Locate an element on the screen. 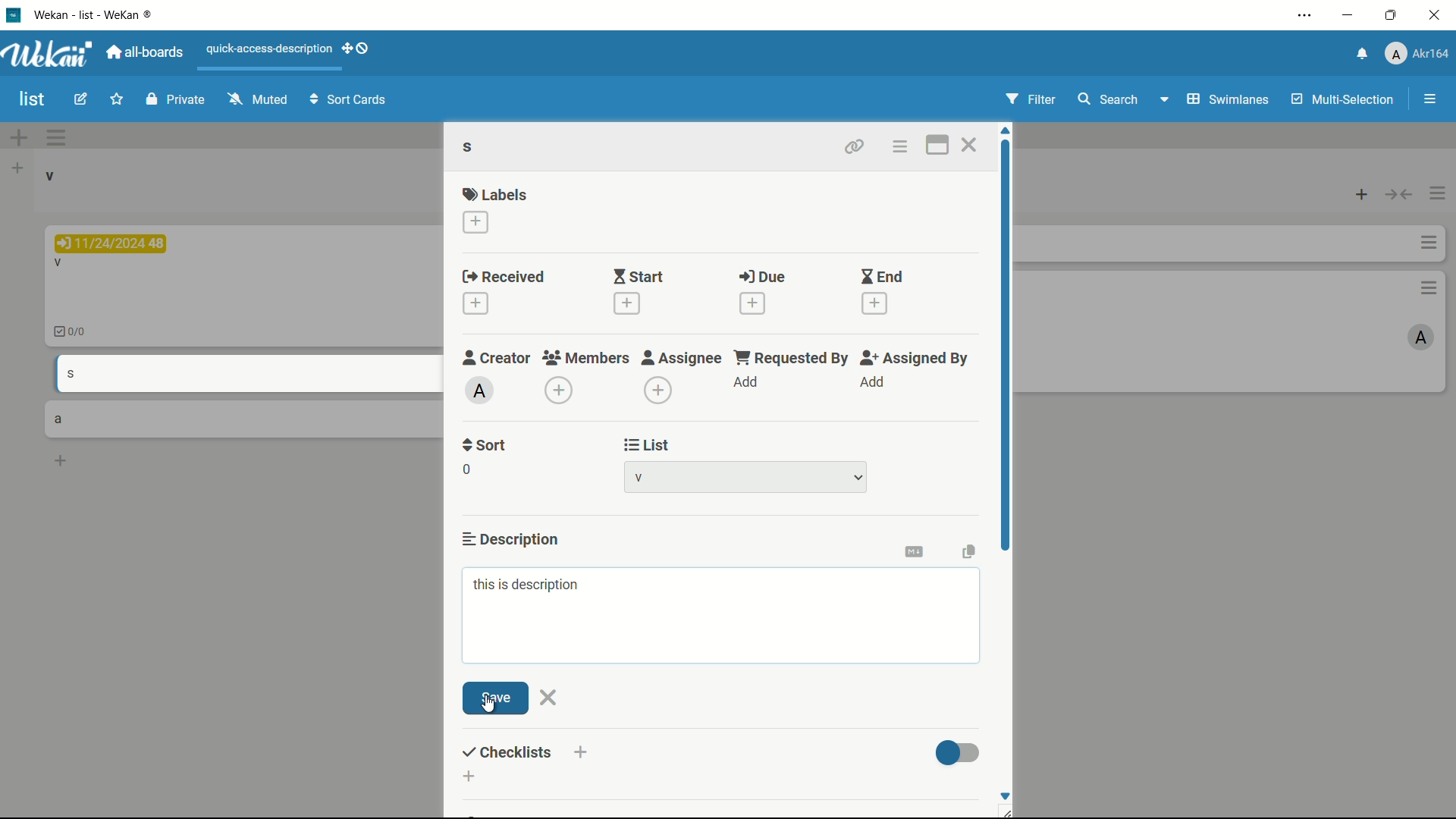 Image resolution: width=1456 pixels, height=819 pixels. sort is located at coordinates (485, 447).